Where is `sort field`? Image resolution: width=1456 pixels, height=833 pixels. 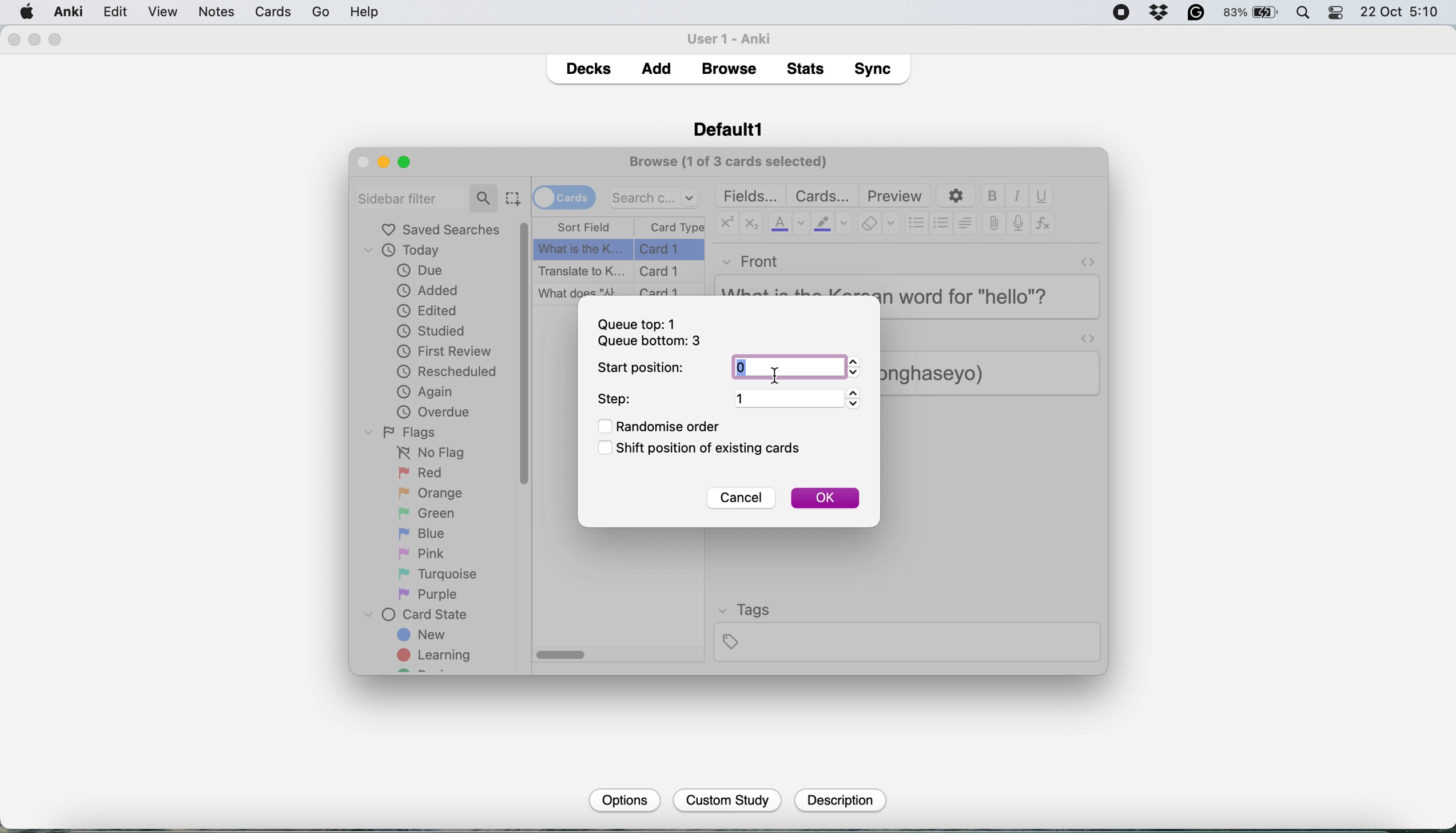
sort field is located at coordinates (584, 228).